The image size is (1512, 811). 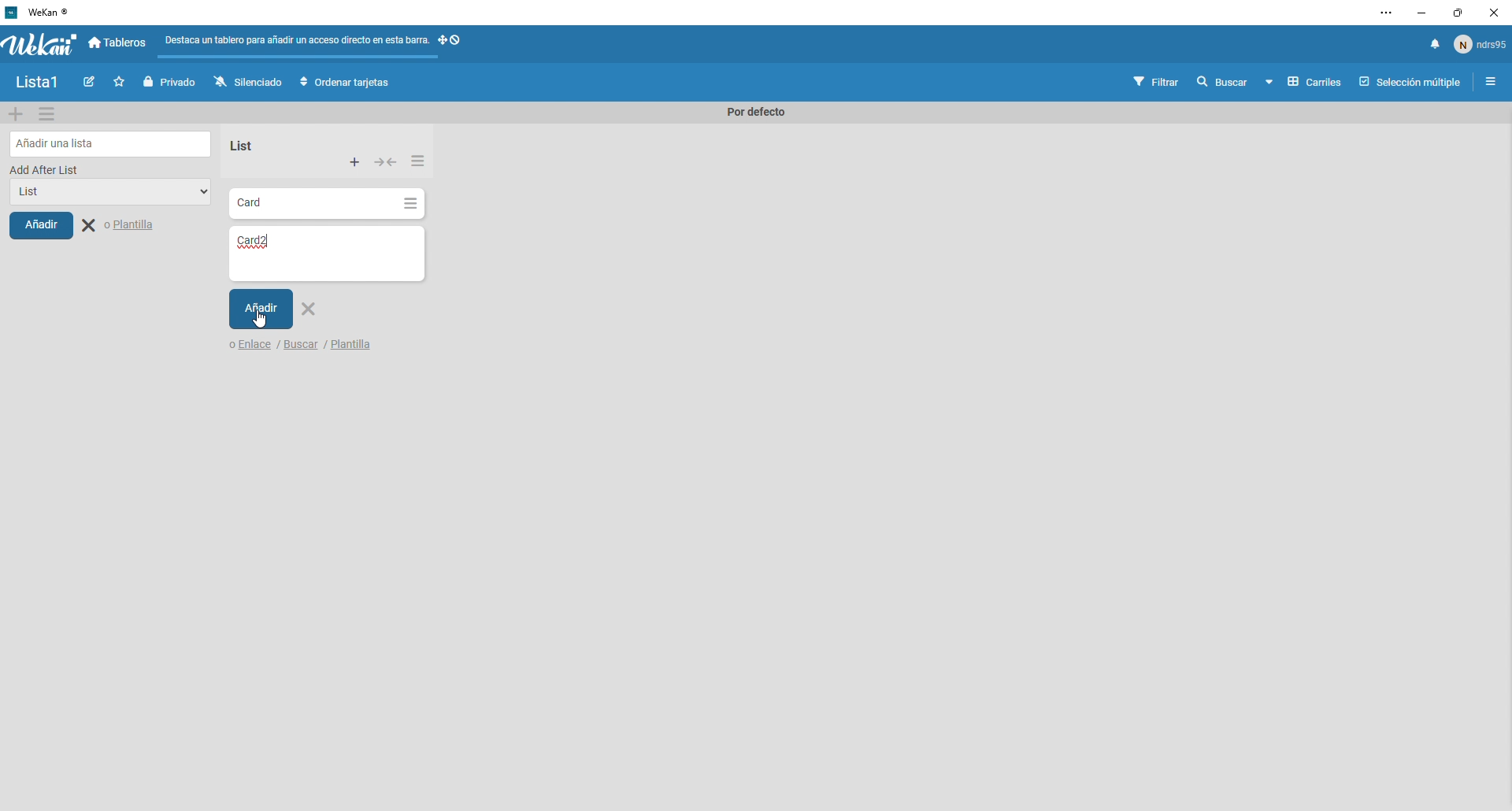 What do you see at coordinates (48, 113) in the screenshot?
I see `Menu` at bounding box center [48, 113].